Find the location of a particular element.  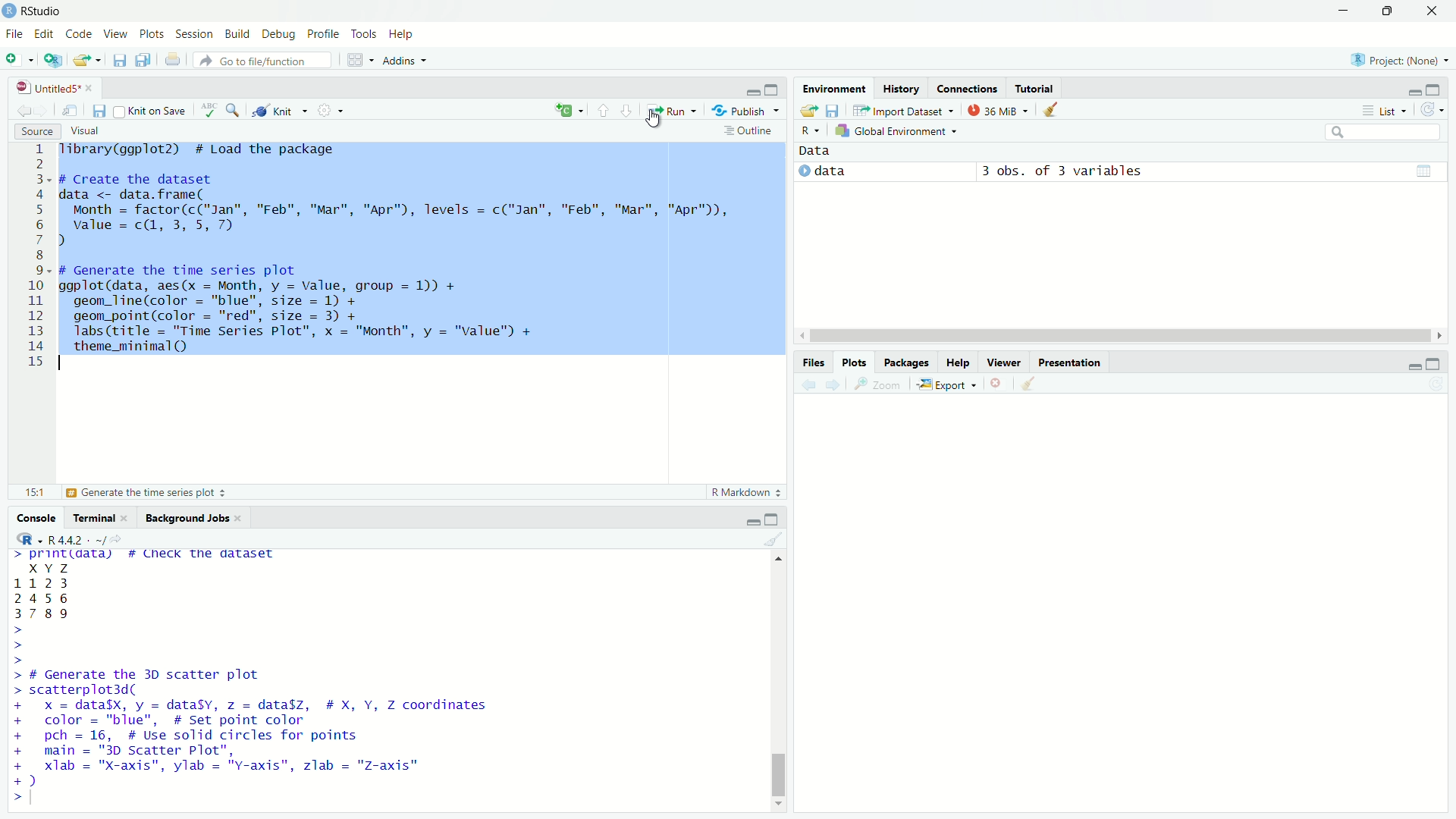

source is located at coordinates (34, 131).